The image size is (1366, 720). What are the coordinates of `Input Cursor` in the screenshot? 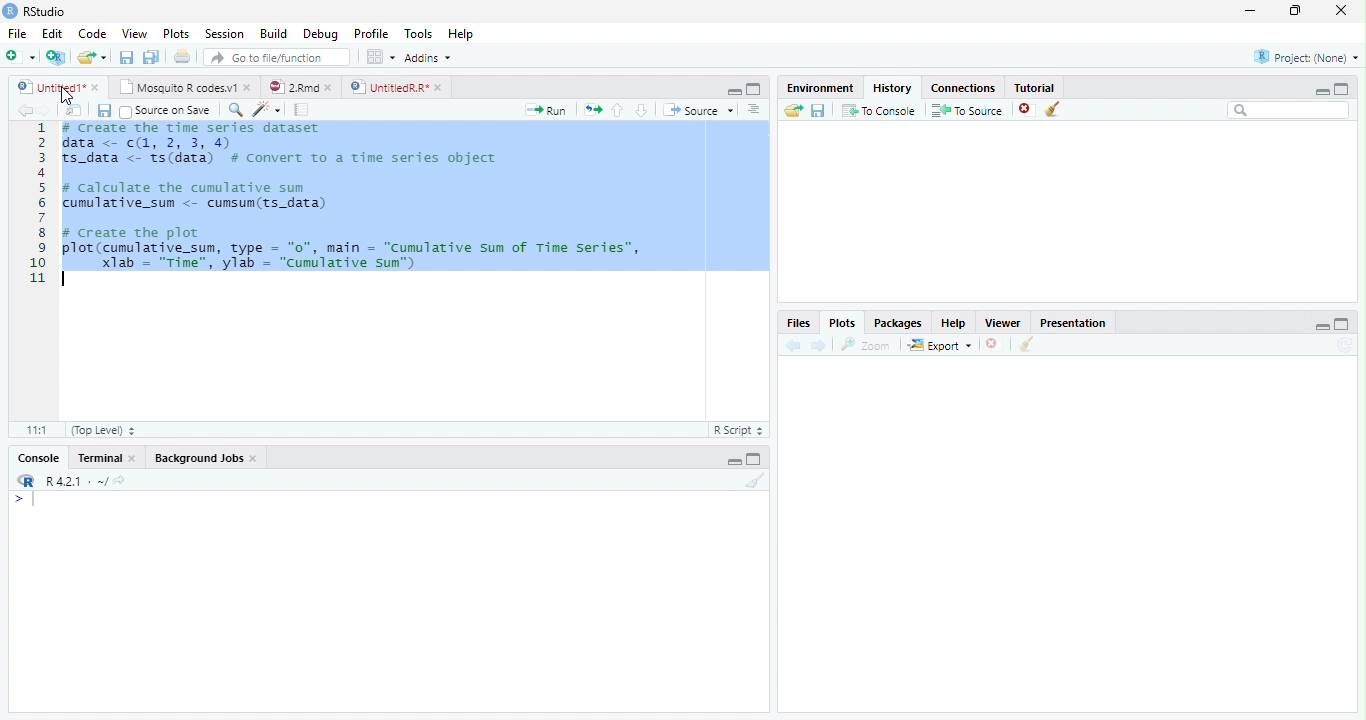 It's located at (41, 496).